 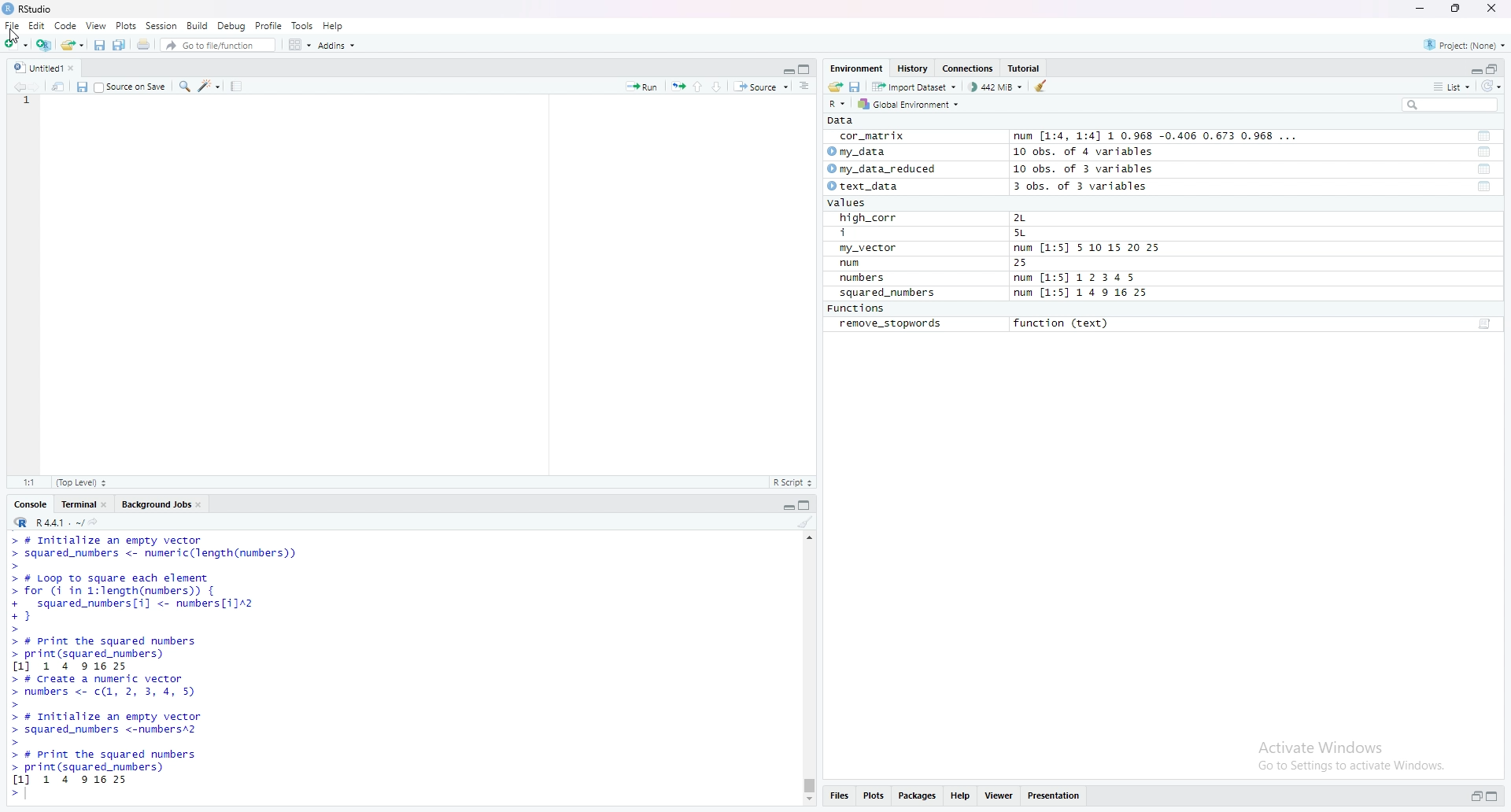 I want to click on num [1:5] 12345, so click(x=1077, y=278).